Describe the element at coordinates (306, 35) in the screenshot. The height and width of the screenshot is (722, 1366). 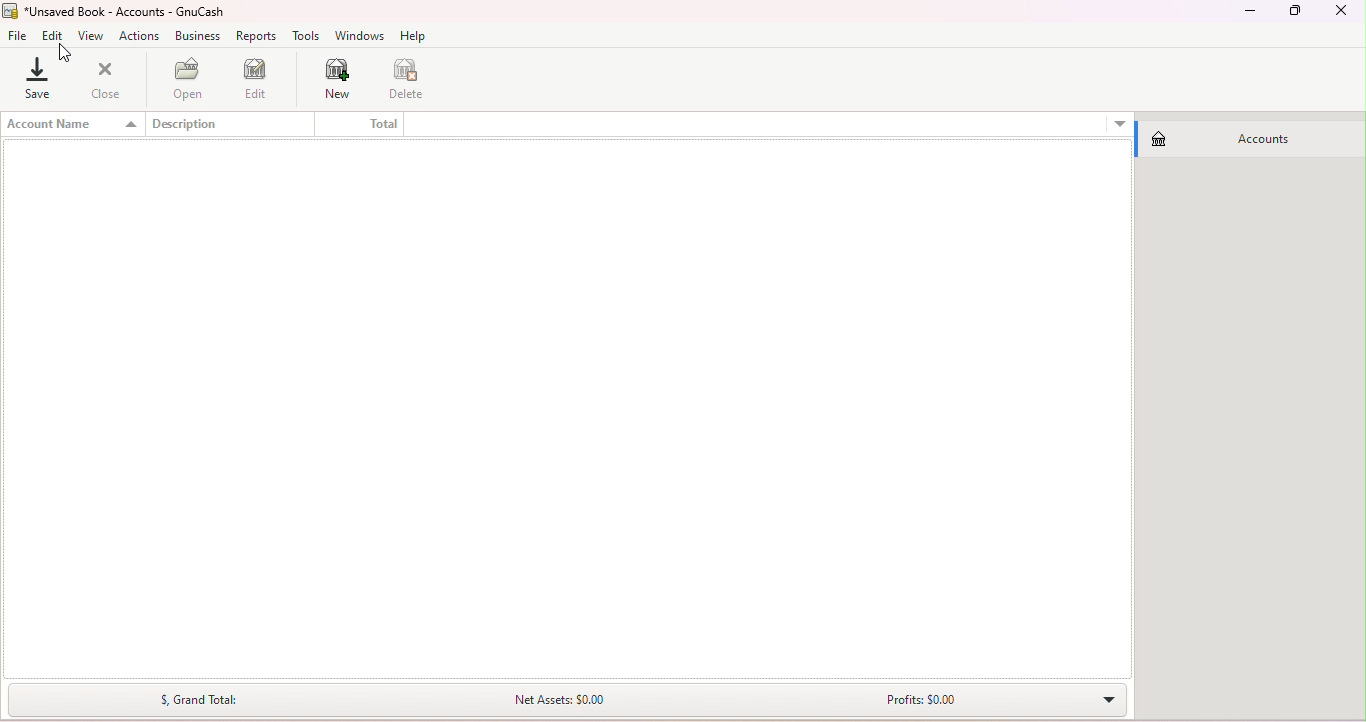
I see `Tools` at that location.